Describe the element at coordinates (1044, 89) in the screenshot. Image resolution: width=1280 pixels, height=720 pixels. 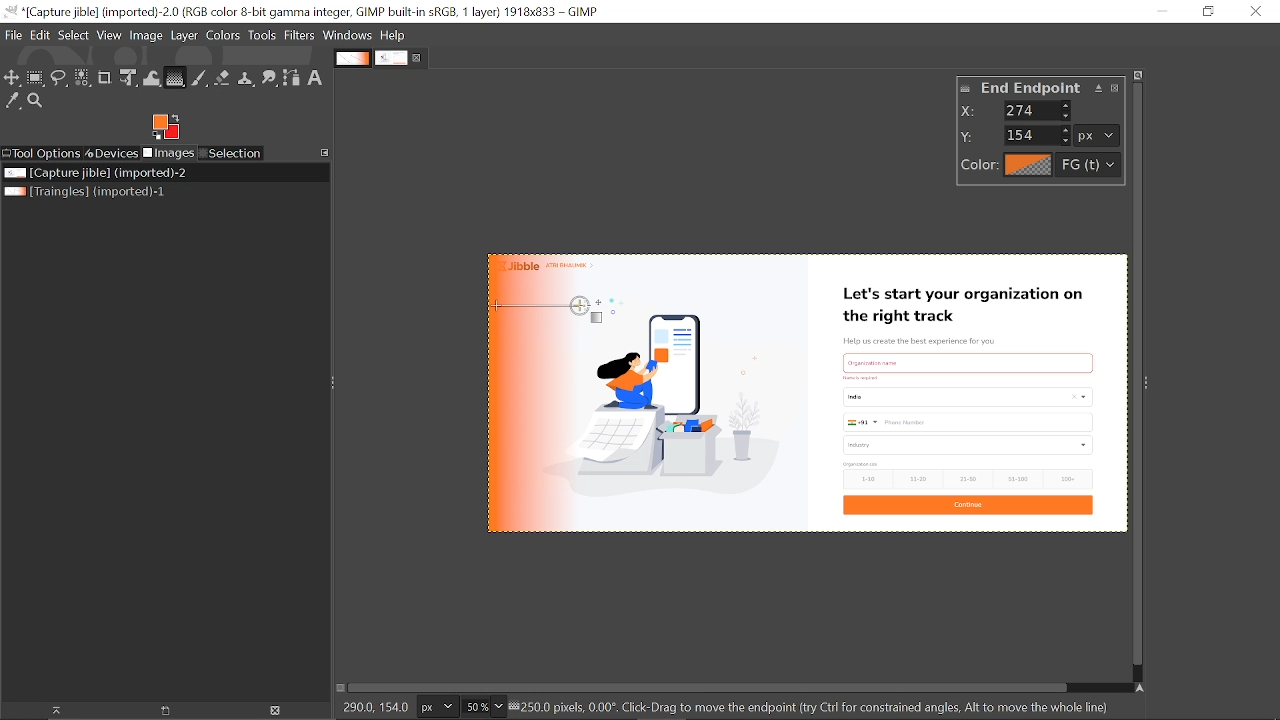
I see `end point` at that location.